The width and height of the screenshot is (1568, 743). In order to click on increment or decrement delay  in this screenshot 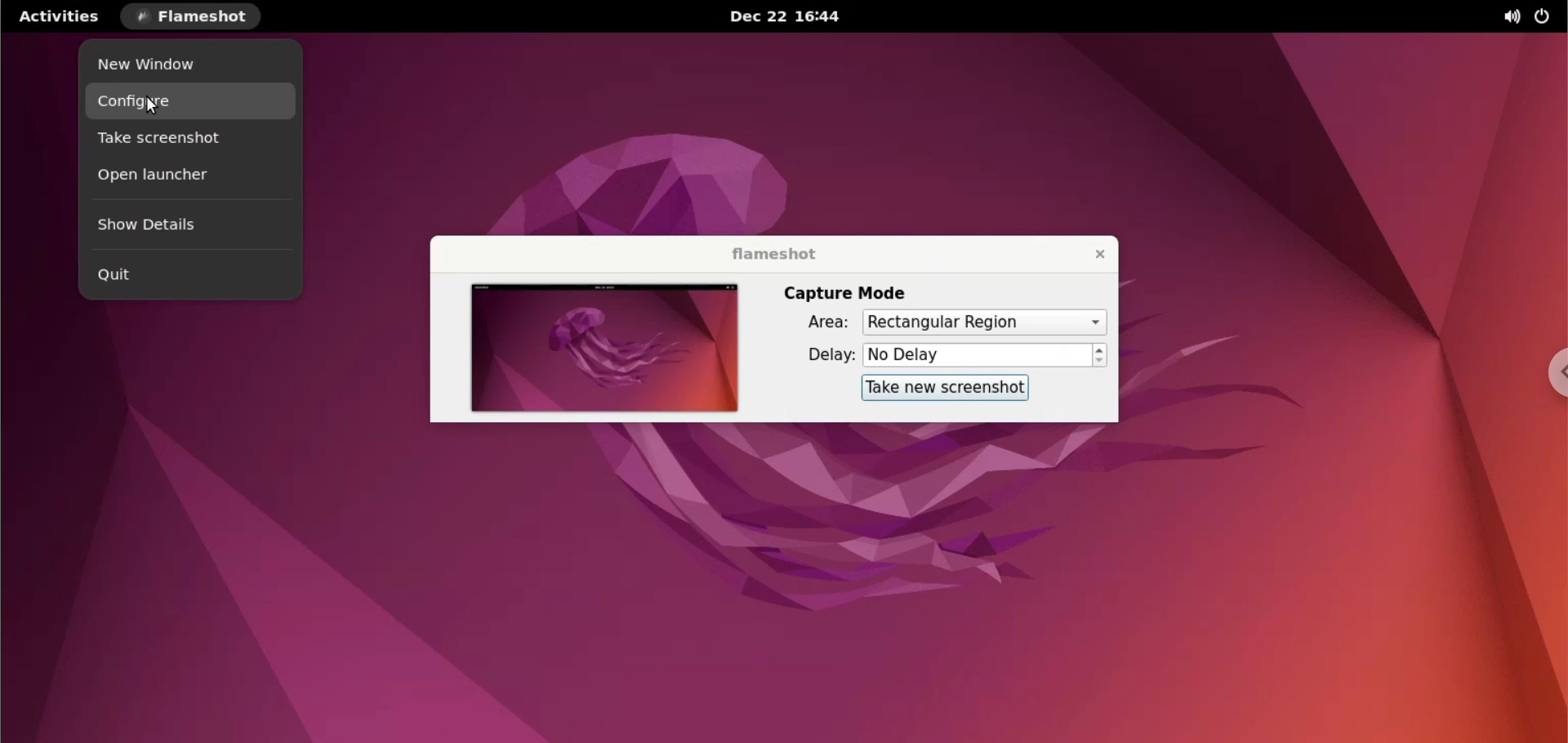, I will do `click(1100, 355)`.